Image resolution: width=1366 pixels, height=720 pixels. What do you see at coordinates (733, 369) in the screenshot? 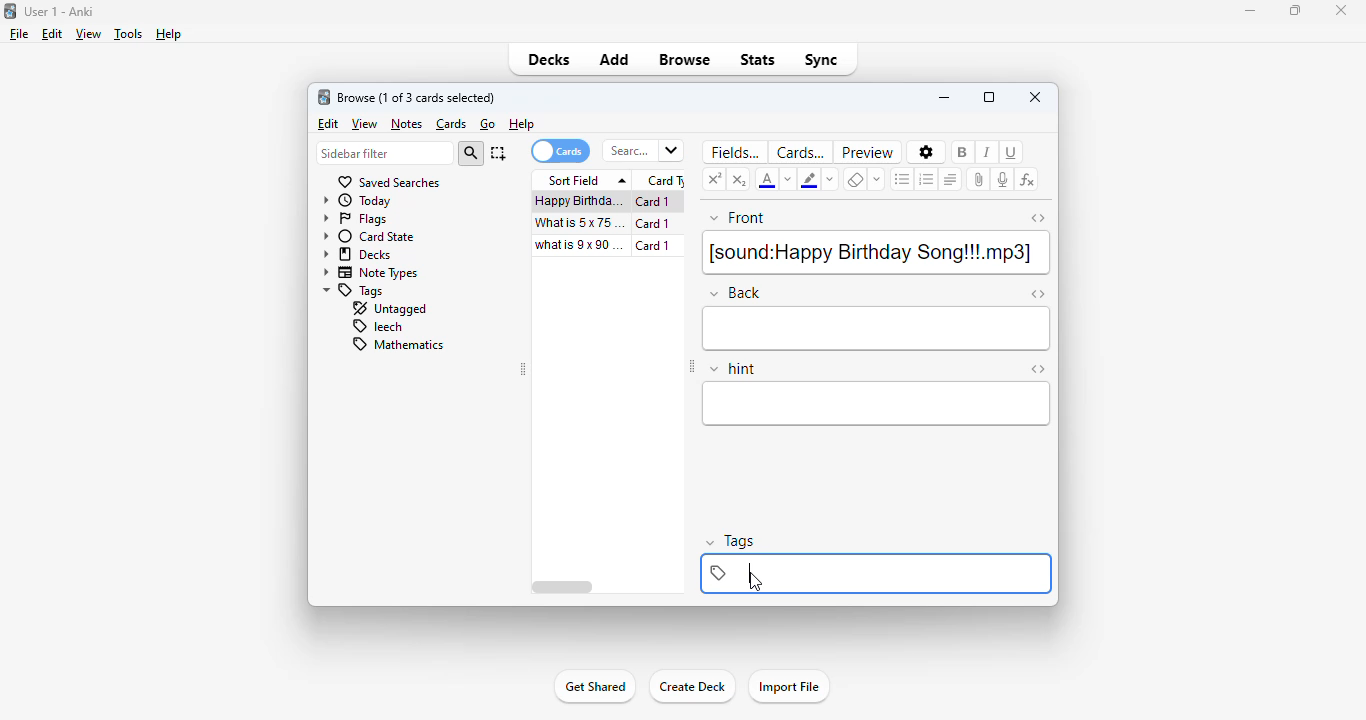
I see `hint` at bounding box center [733, 369].